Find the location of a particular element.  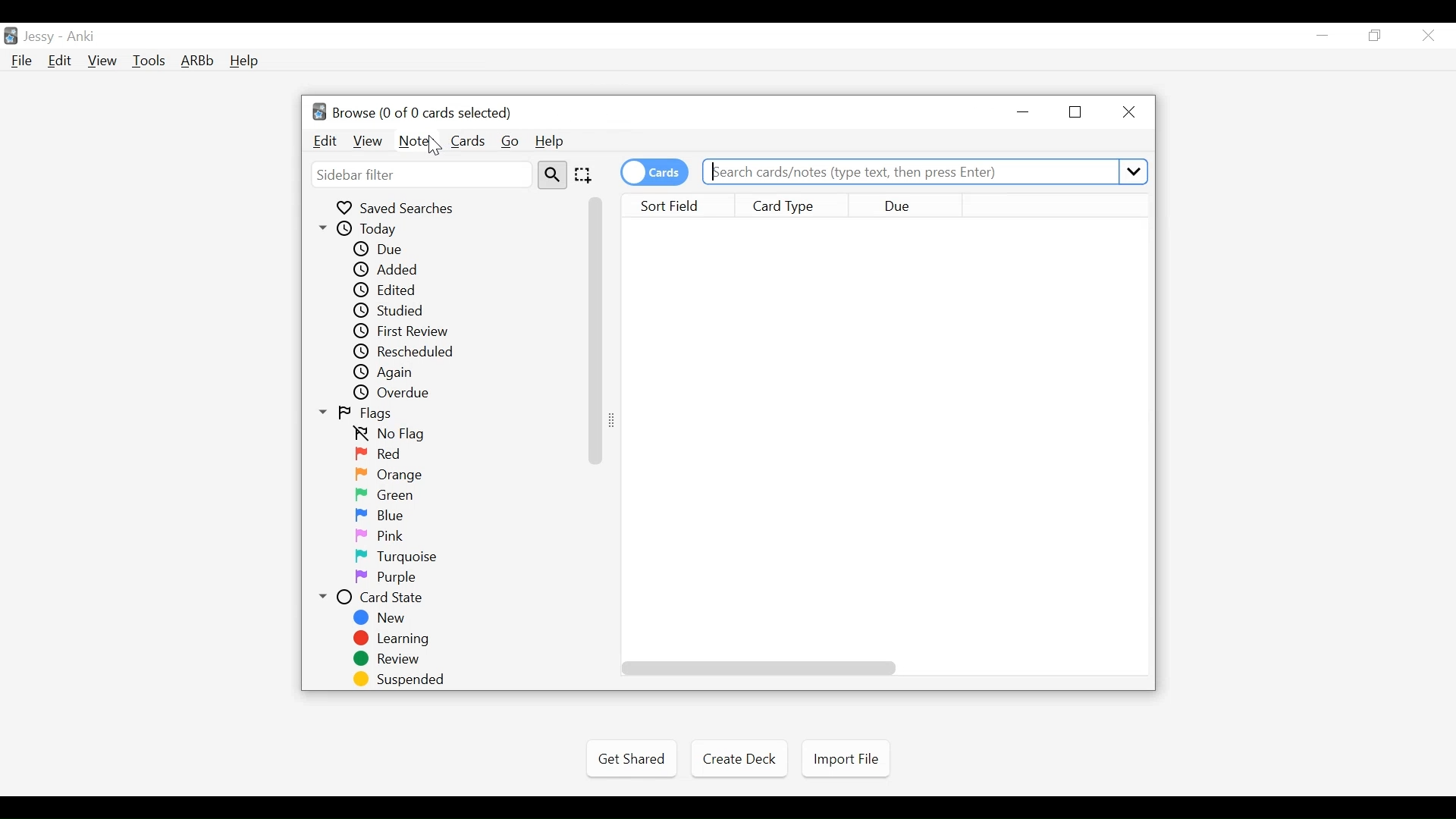

Anki Desktop icon is located at coordinates (11, 36).